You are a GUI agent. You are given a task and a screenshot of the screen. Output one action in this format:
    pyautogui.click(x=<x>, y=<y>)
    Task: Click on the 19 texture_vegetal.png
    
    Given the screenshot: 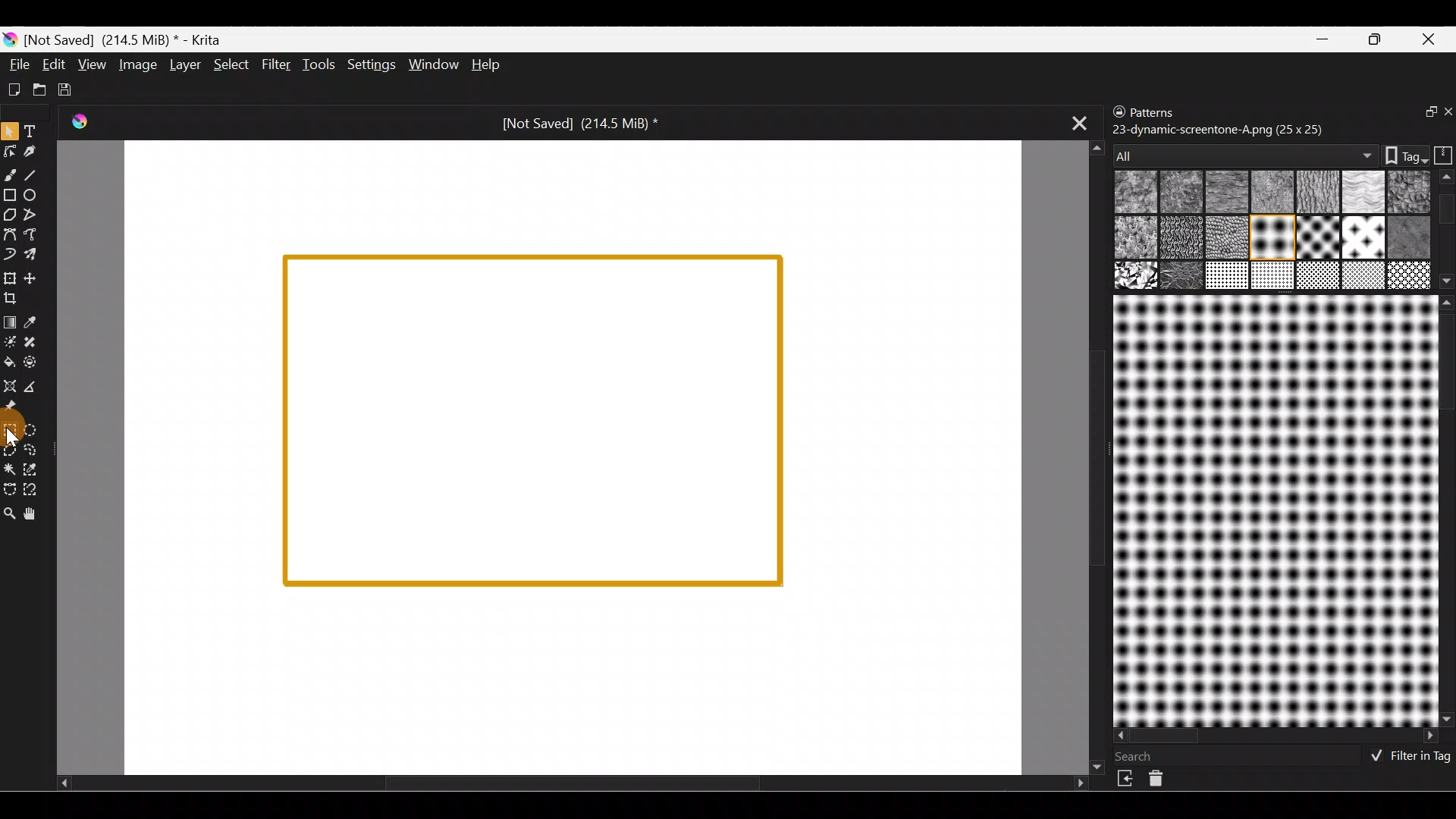 What is the action you would take?
    pyautogui.click(x=1411, y=272)
    